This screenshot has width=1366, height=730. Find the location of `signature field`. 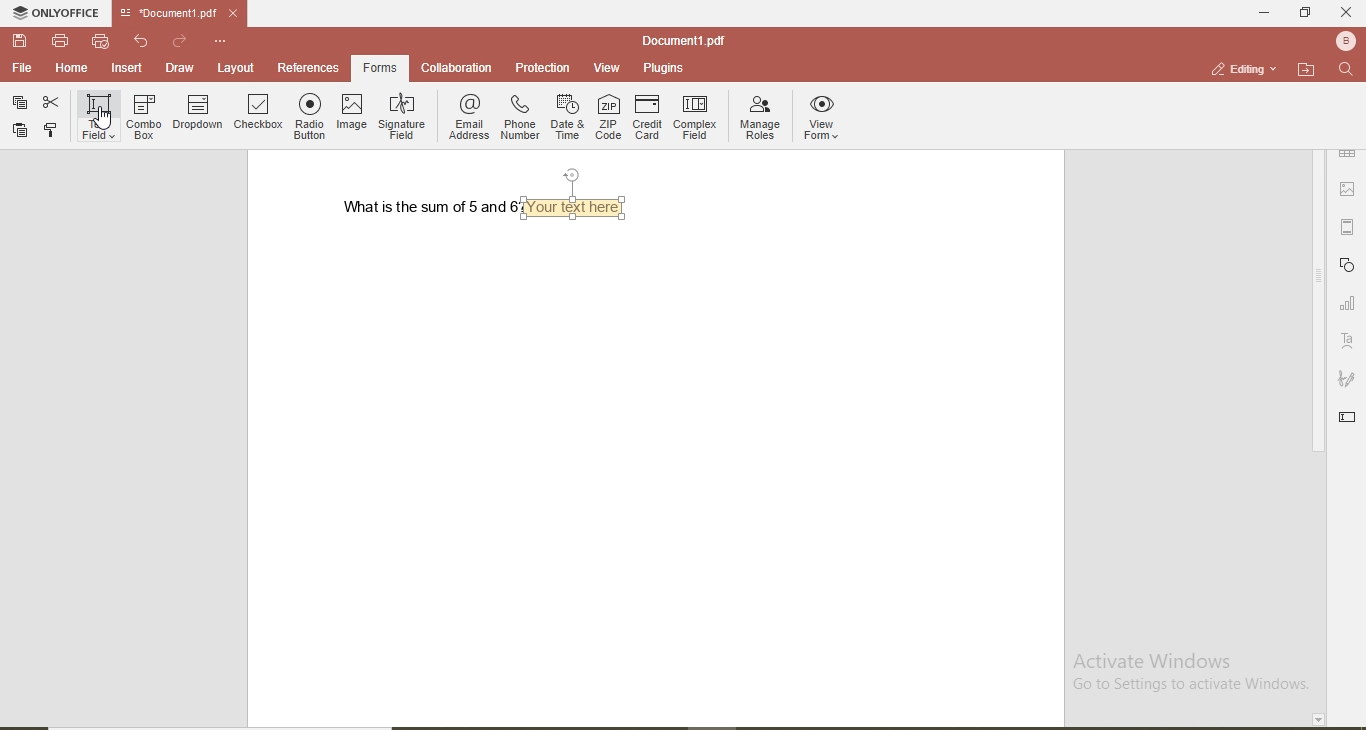

signature field is located at coordinates (404, 116).